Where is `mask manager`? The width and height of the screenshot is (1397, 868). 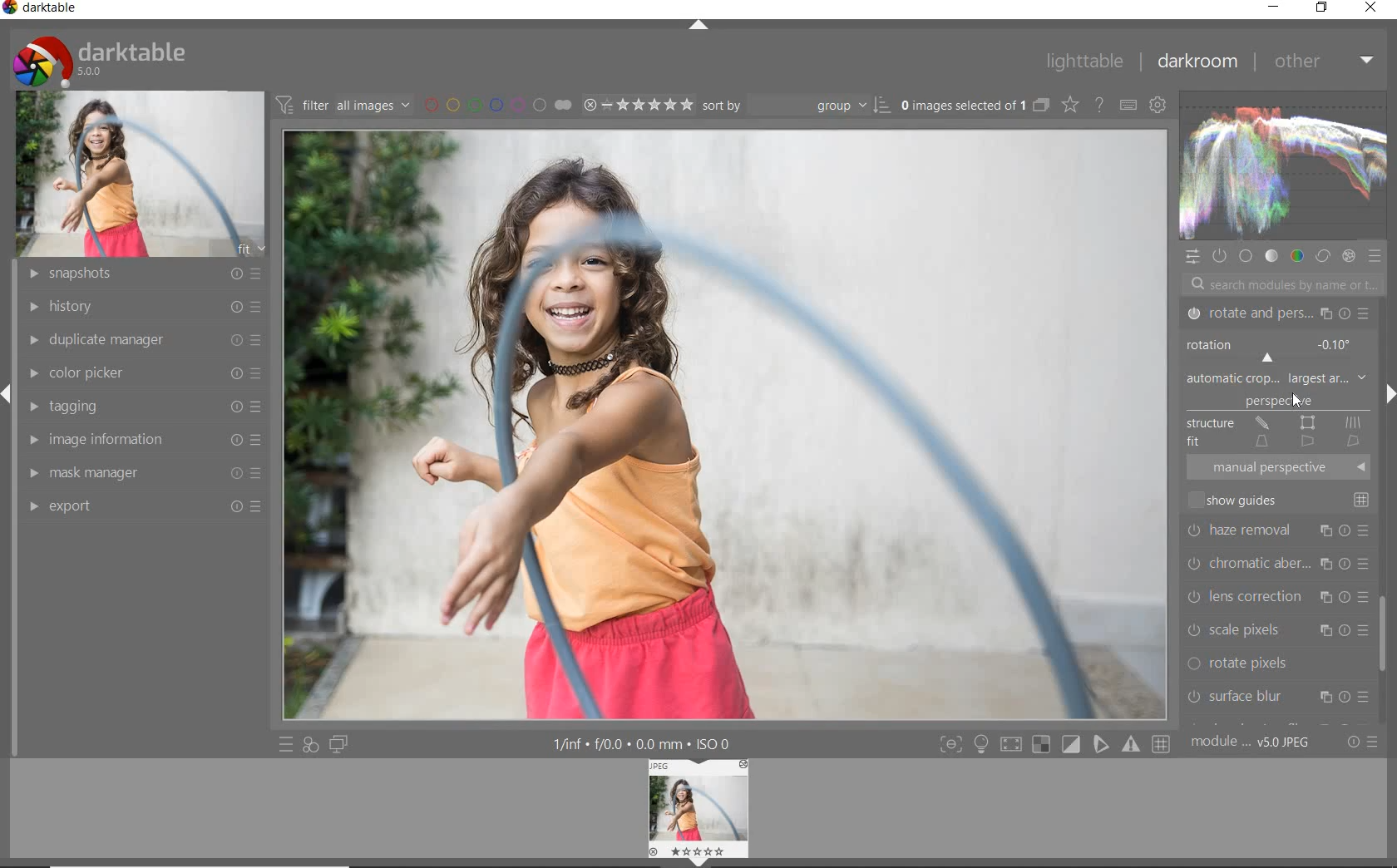
mask manager is located at coordinates (142, 474).